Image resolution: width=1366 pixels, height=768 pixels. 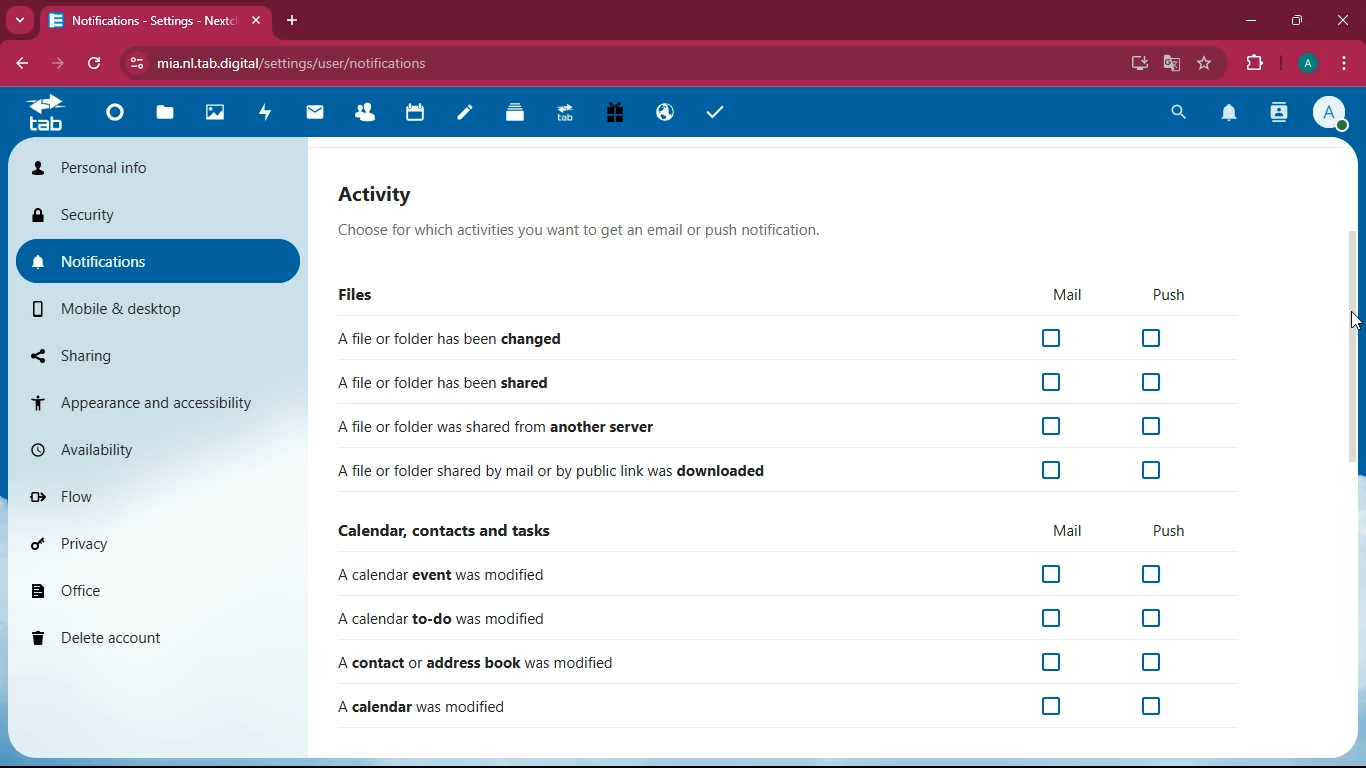 What do you see at coordinates (19, 61) in the screenshot?
I see `backward` at bounding box center [19, 61].